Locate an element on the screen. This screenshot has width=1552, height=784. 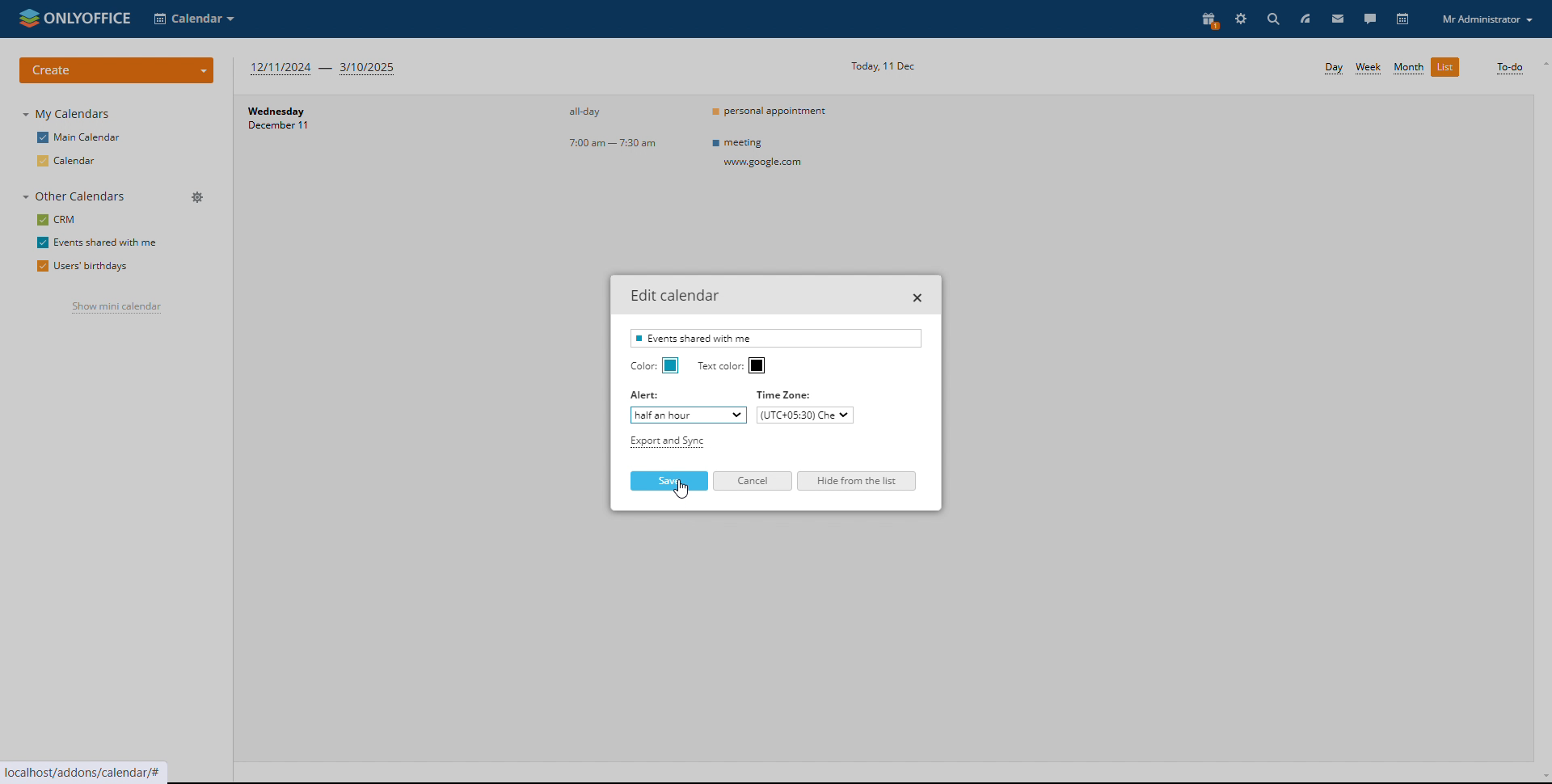
show mini calendar is located at coordinates (116, 307).